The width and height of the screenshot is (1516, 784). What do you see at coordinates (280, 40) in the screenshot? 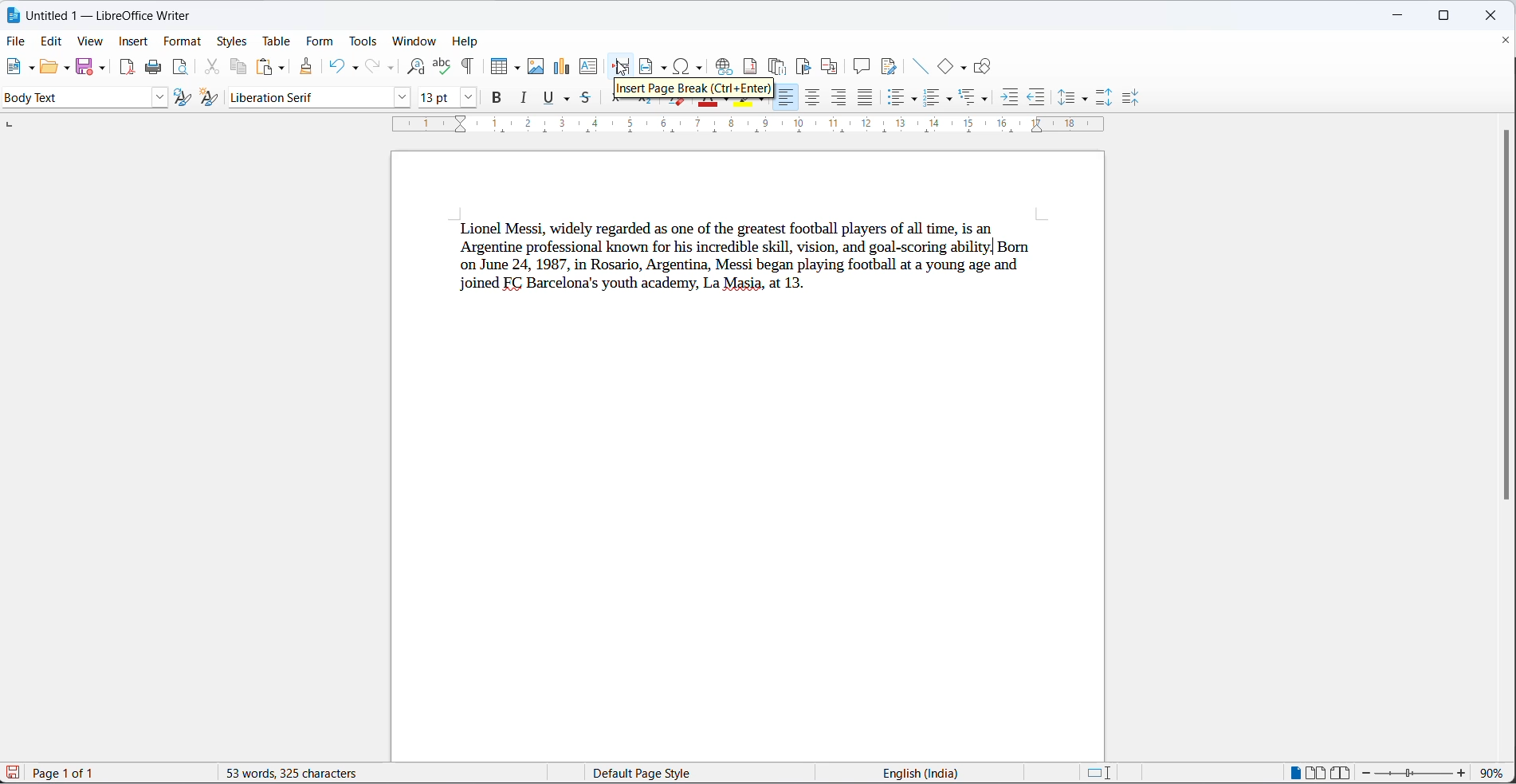
I see `table` at bounding box center [280, 40].